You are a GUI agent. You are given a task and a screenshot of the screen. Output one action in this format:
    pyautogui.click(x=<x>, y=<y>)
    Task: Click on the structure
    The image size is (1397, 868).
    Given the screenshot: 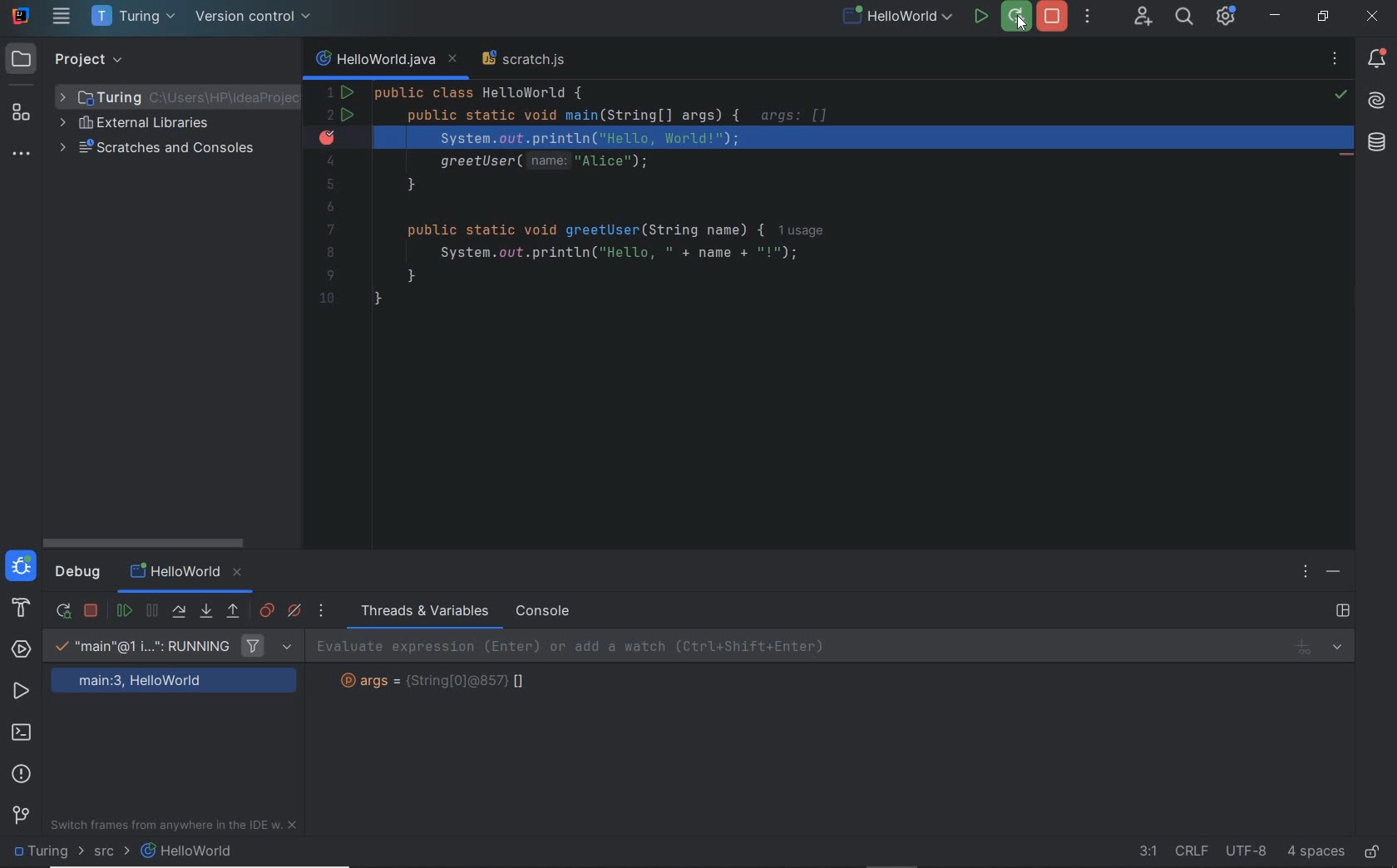 What is the action you would take?
    pyautogui.click(x=22, y=116)
    